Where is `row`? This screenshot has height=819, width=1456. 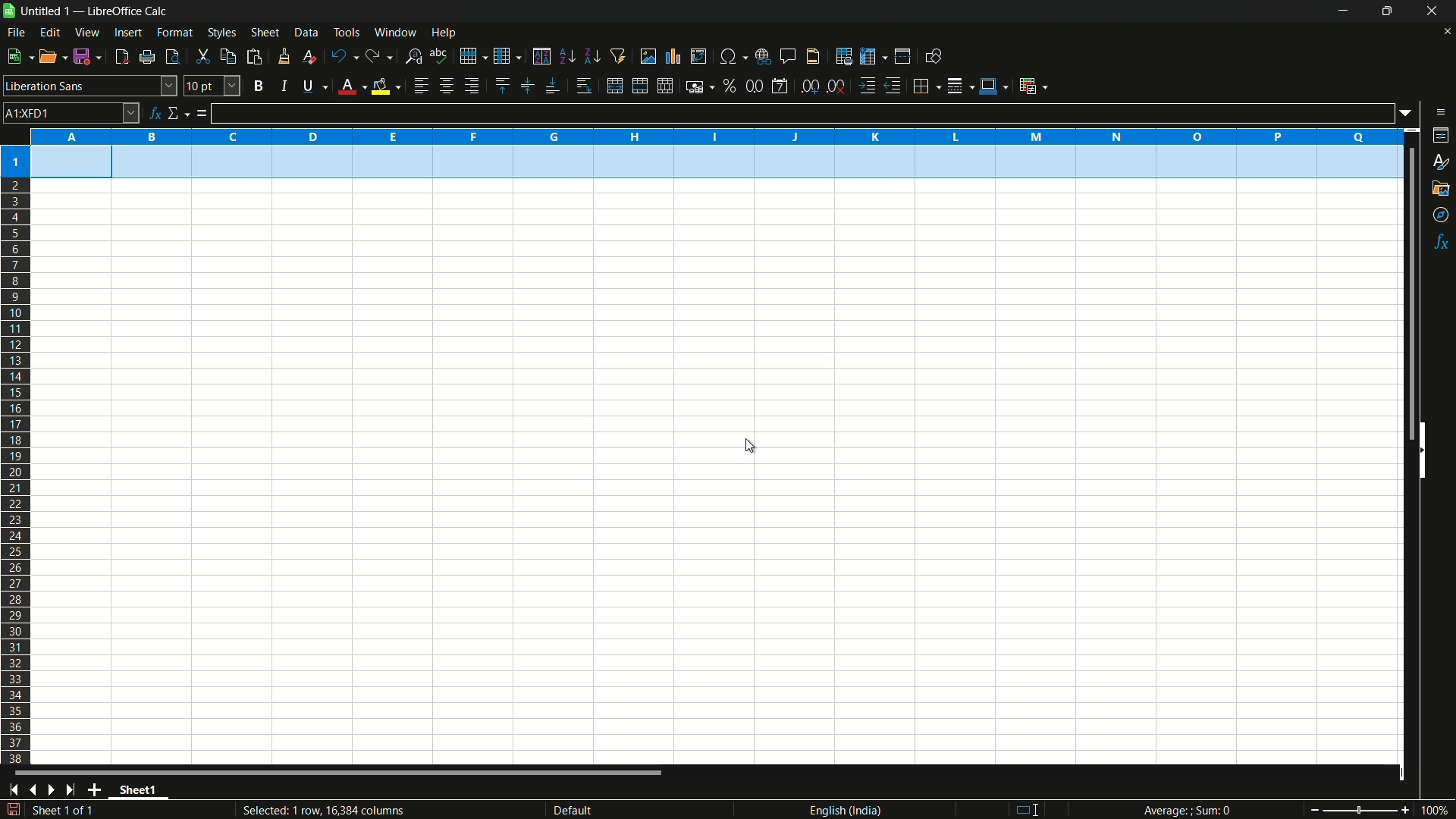
row is located at coordinates (473, 55).